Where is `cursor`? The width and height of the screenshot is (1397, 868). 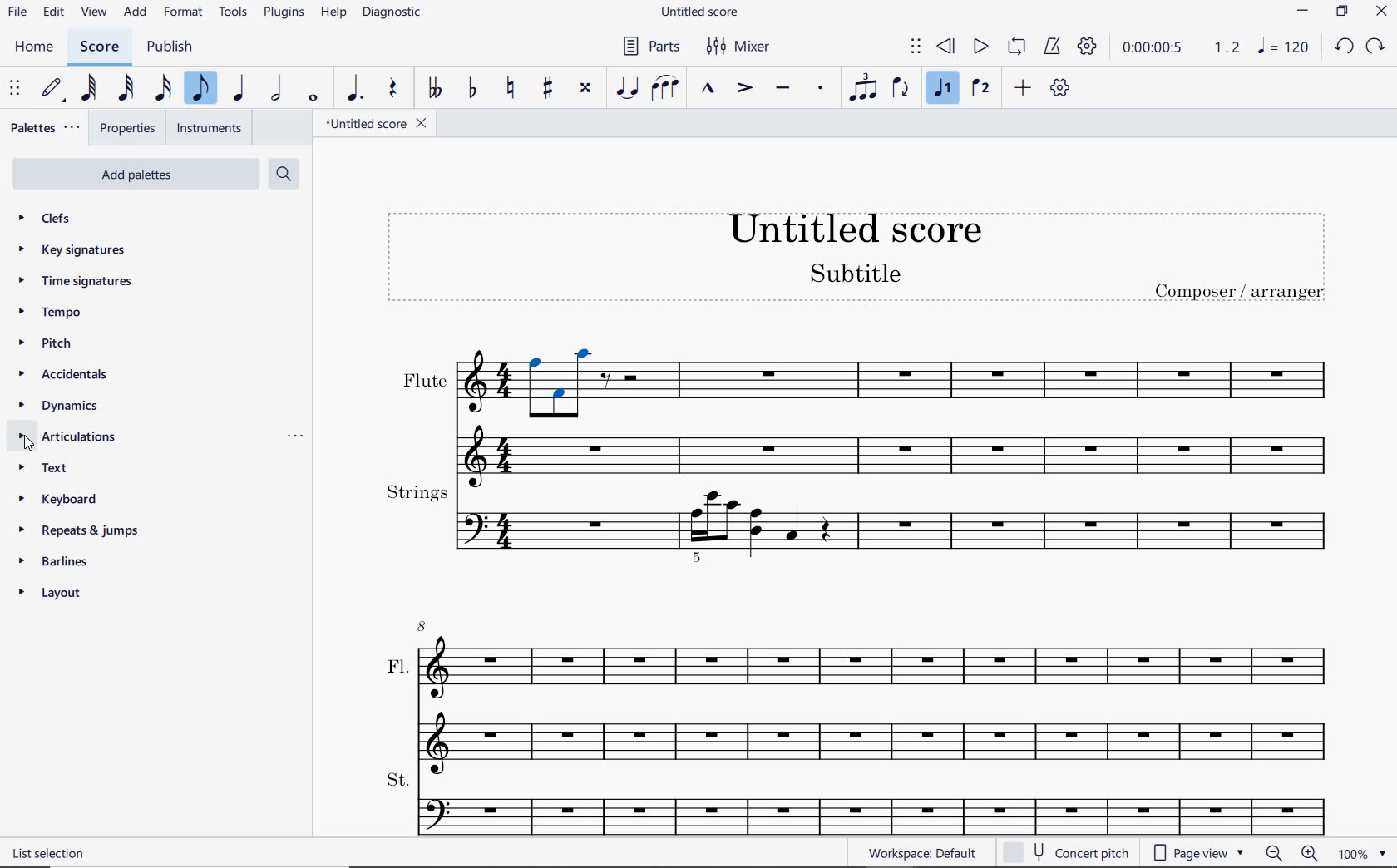
cursor is located at coordinates (30, 446).